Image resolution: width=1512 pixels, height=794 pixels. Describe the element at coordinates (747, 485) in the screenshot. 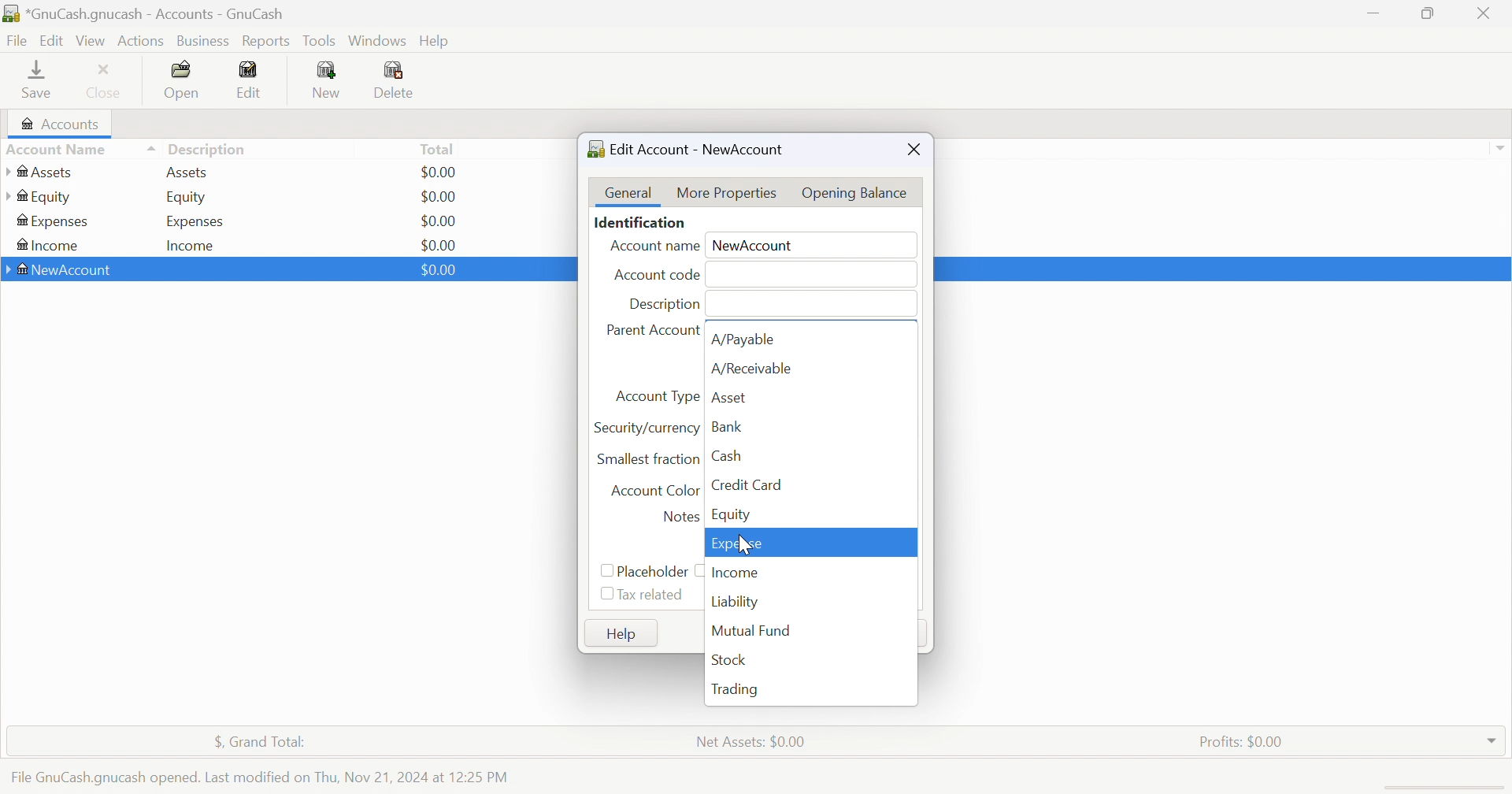

I see `Credit Card` at that location.